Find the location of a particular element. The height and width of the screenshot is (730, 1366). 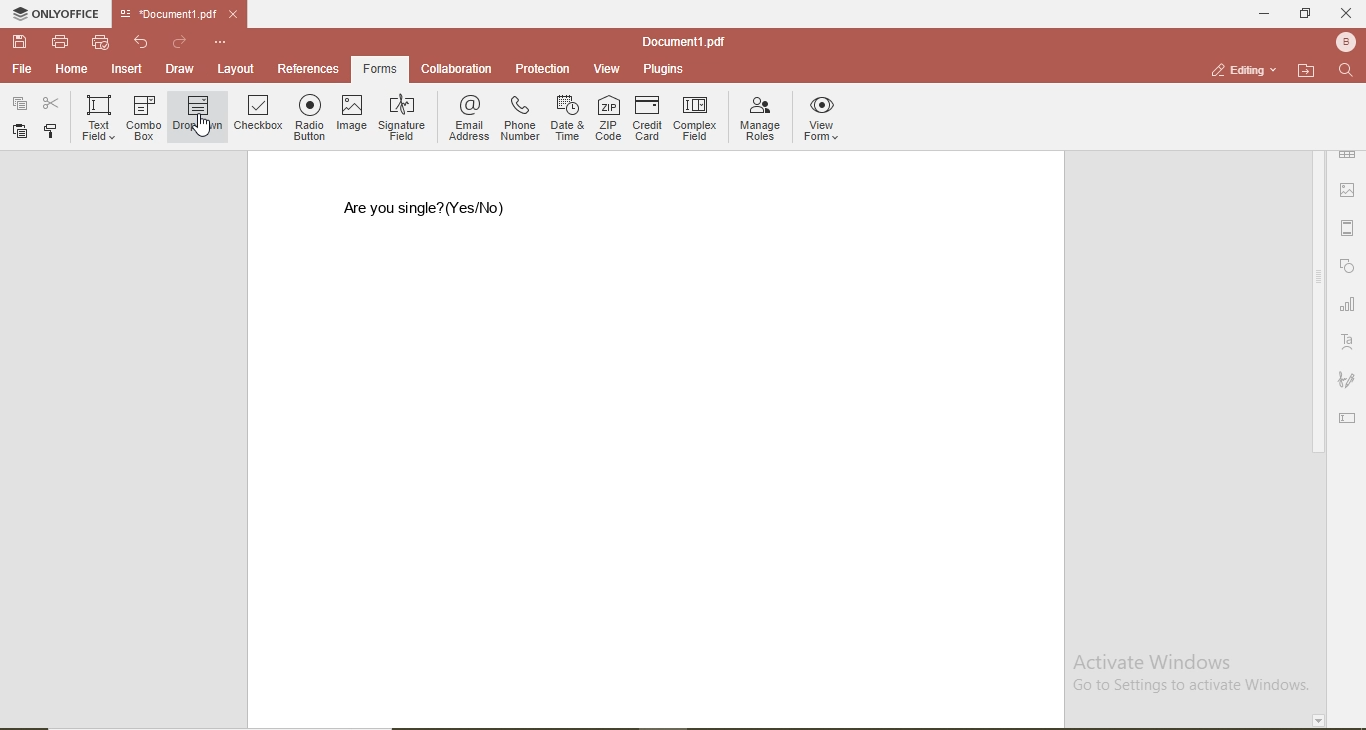

table is located at coordinates (1346, 154).